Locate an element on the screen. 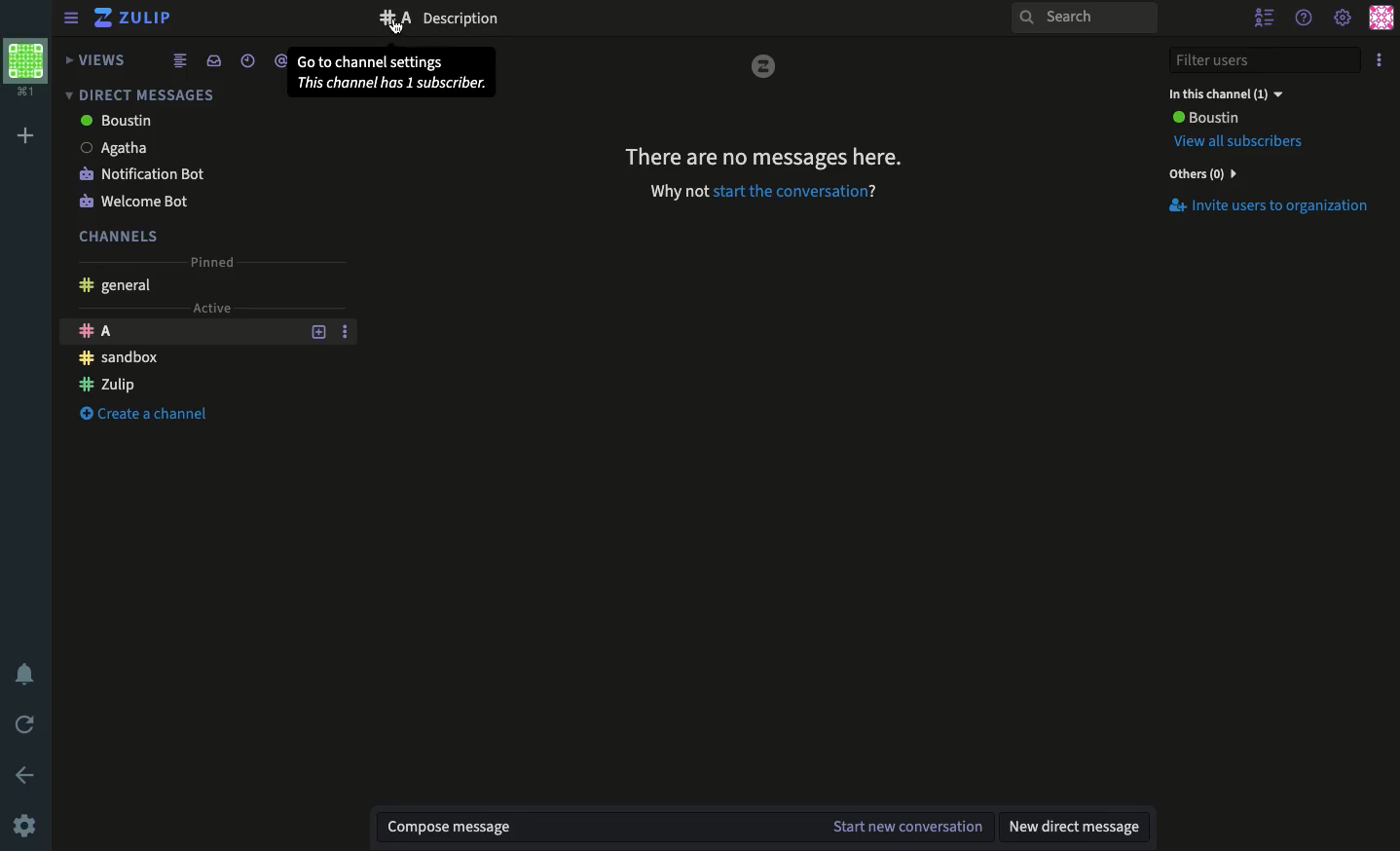 This screenshot has height=851, width=1400. Help is located at coordinates (1305, 18).